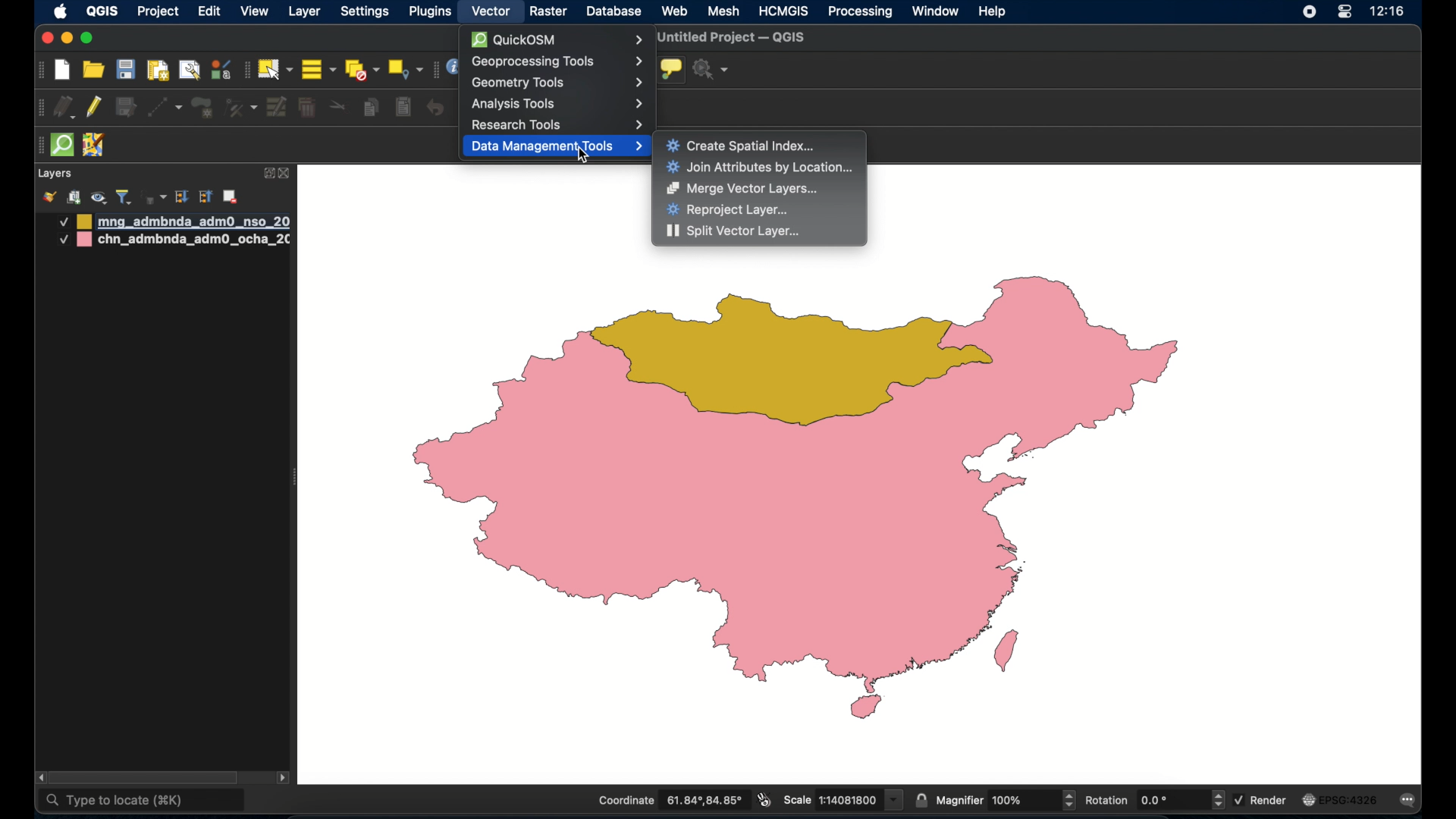 The width and height of the screenshot is (1456, 819). I want to click on time, so click(1388, 13).